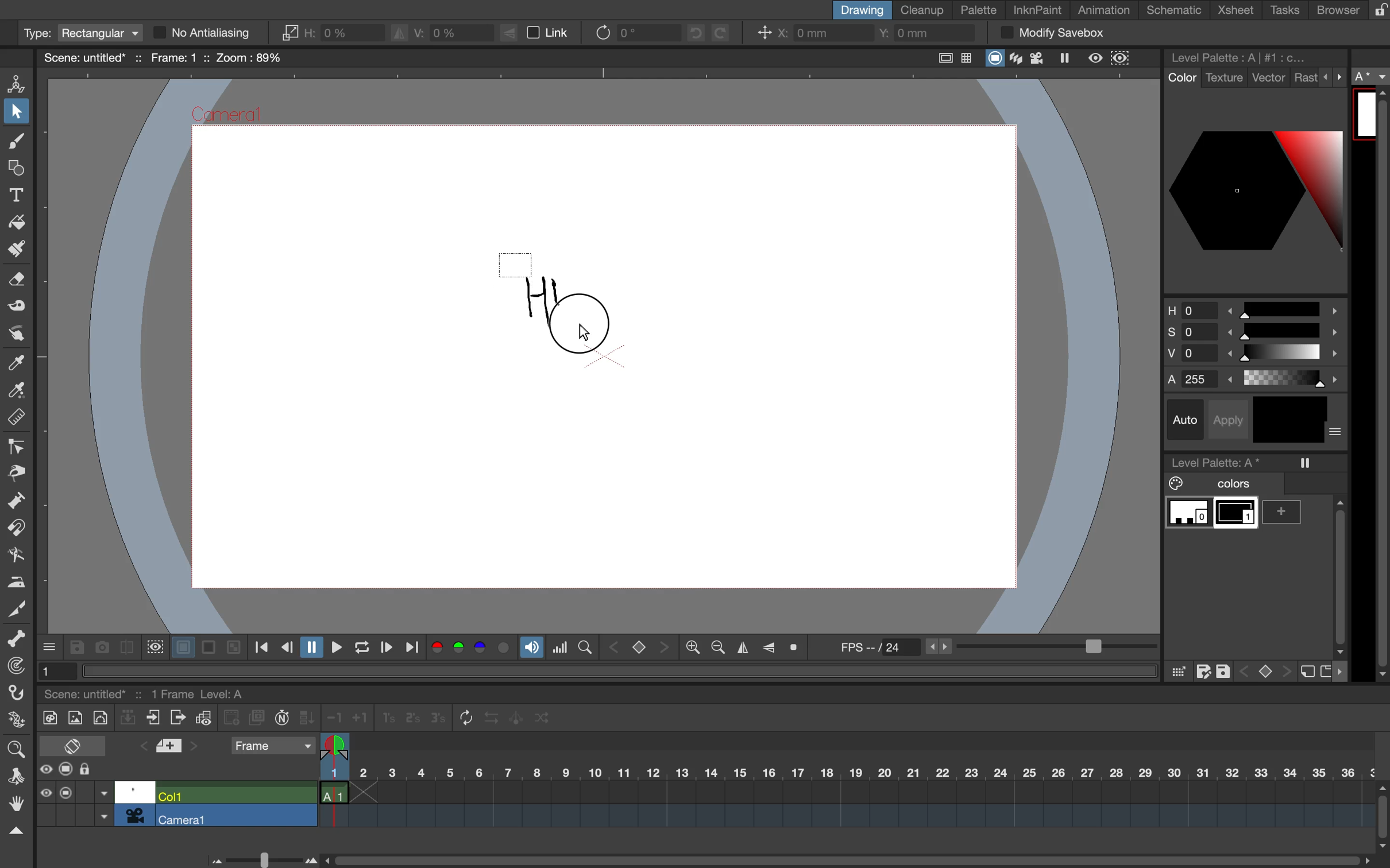  I want to click on click and drag color palaette, so click(1177, 672).